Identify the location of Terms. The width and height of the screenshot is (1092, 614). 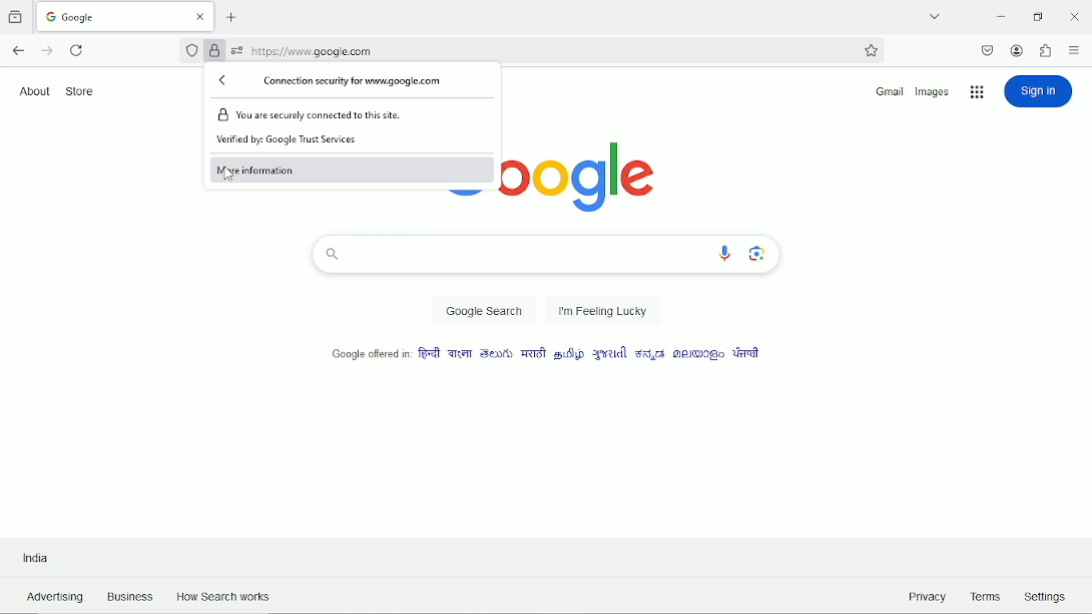
(987, 596).